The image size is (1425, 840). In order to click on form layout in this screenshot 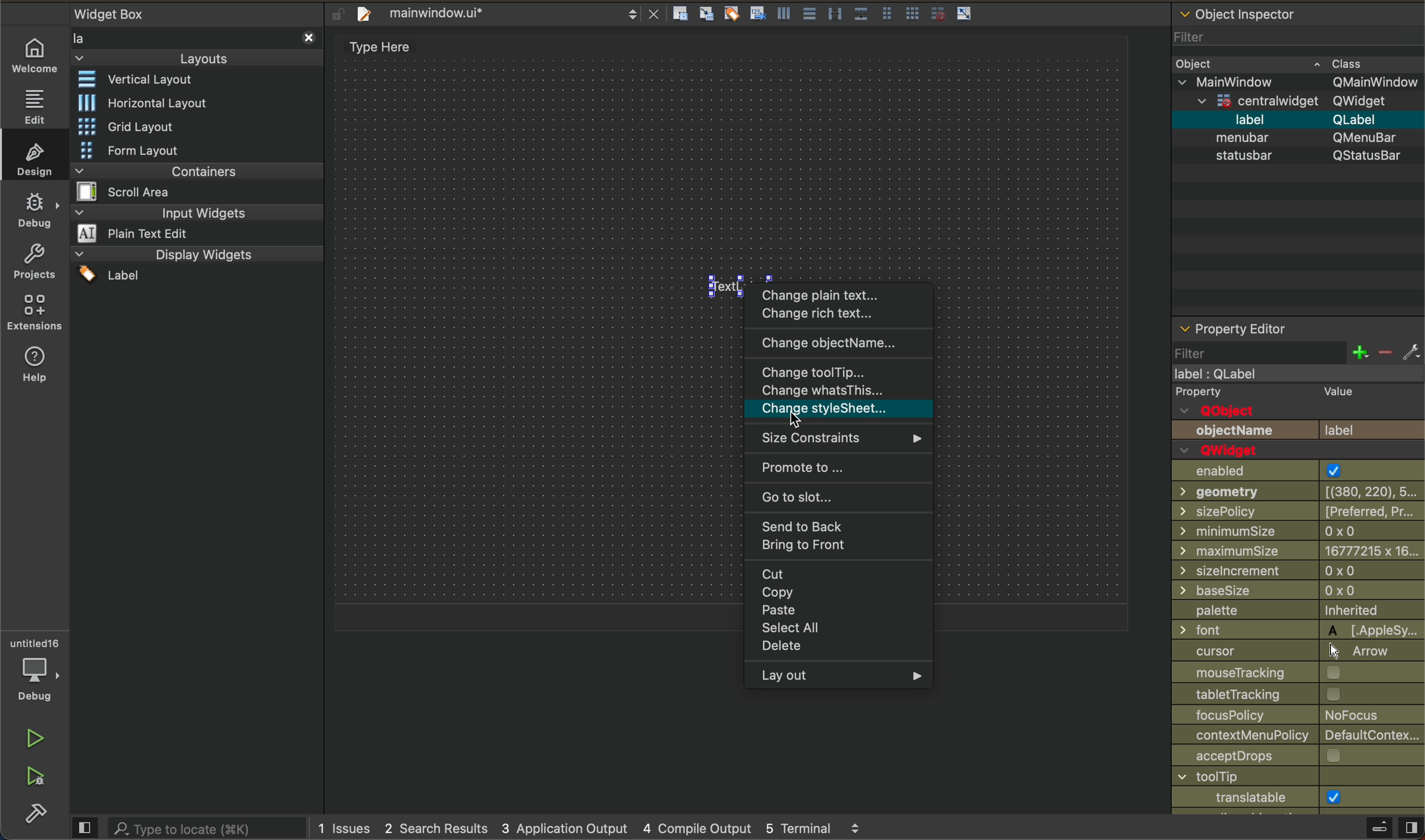, I will do `click(156, 150)`.